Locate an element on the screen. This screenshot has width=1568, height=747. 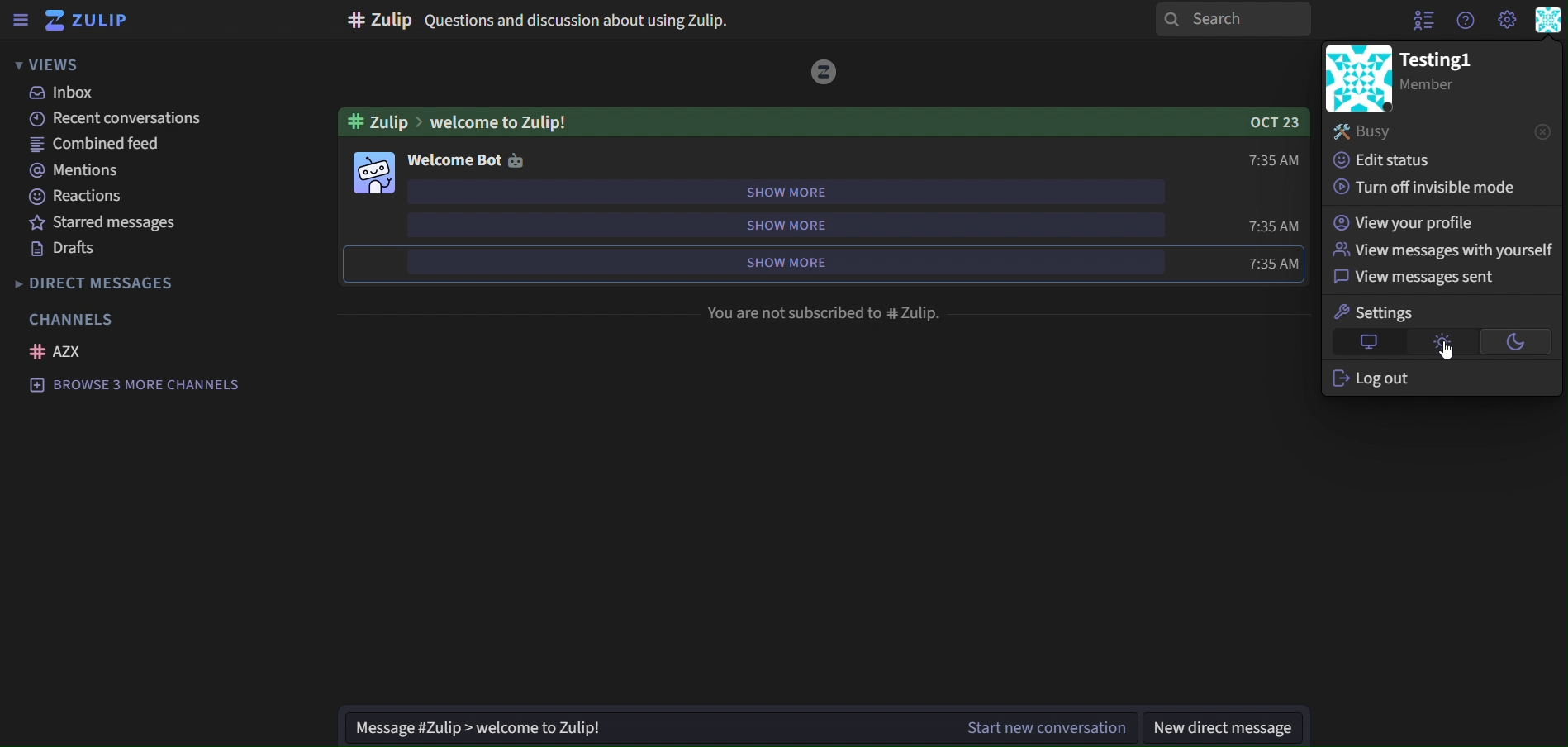
Message #Zulip > welcome to Zulip! is located at coordinates (479, 724).